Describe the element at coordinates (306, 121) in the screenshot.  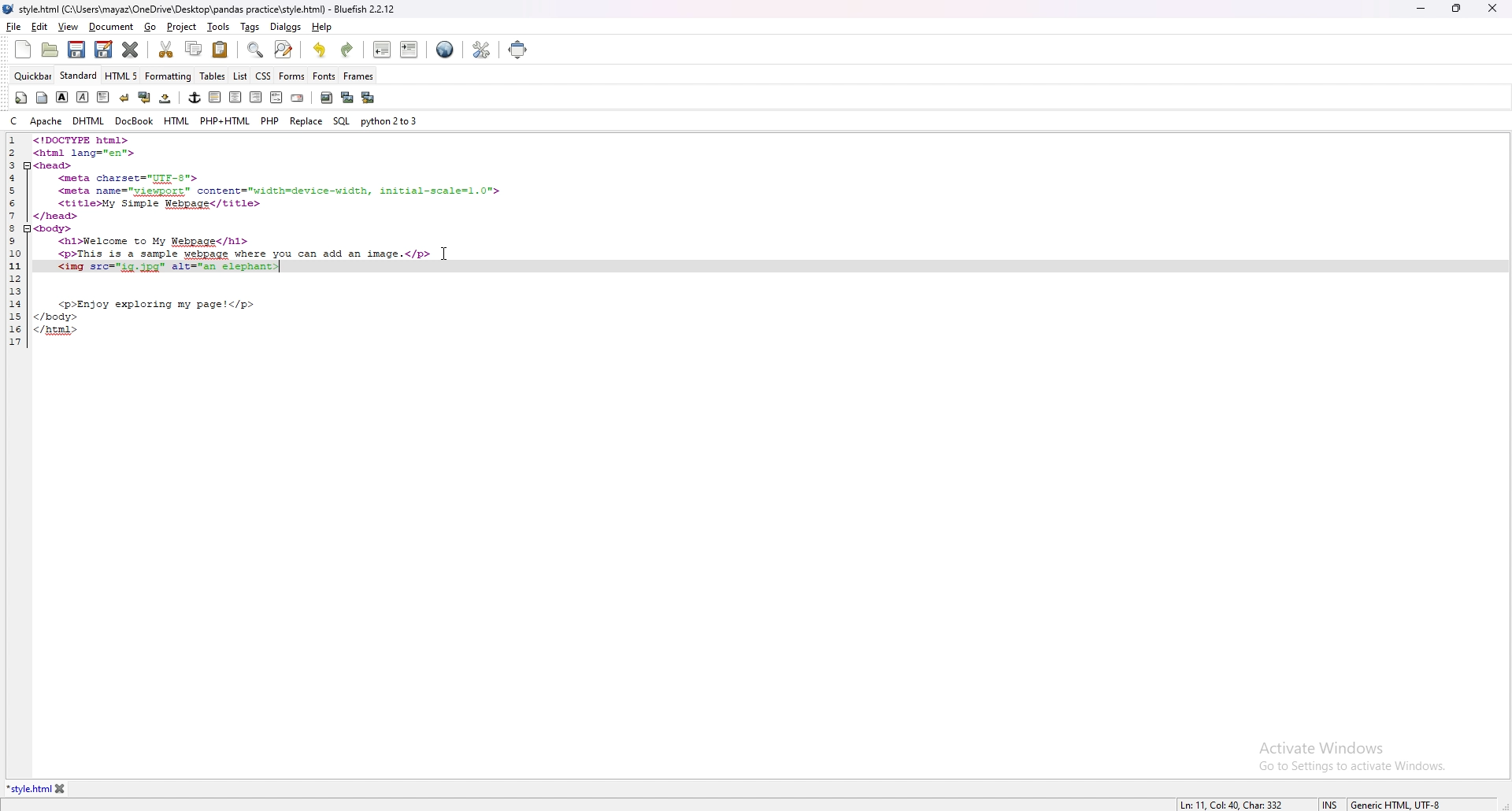
I see `replace` at that location.